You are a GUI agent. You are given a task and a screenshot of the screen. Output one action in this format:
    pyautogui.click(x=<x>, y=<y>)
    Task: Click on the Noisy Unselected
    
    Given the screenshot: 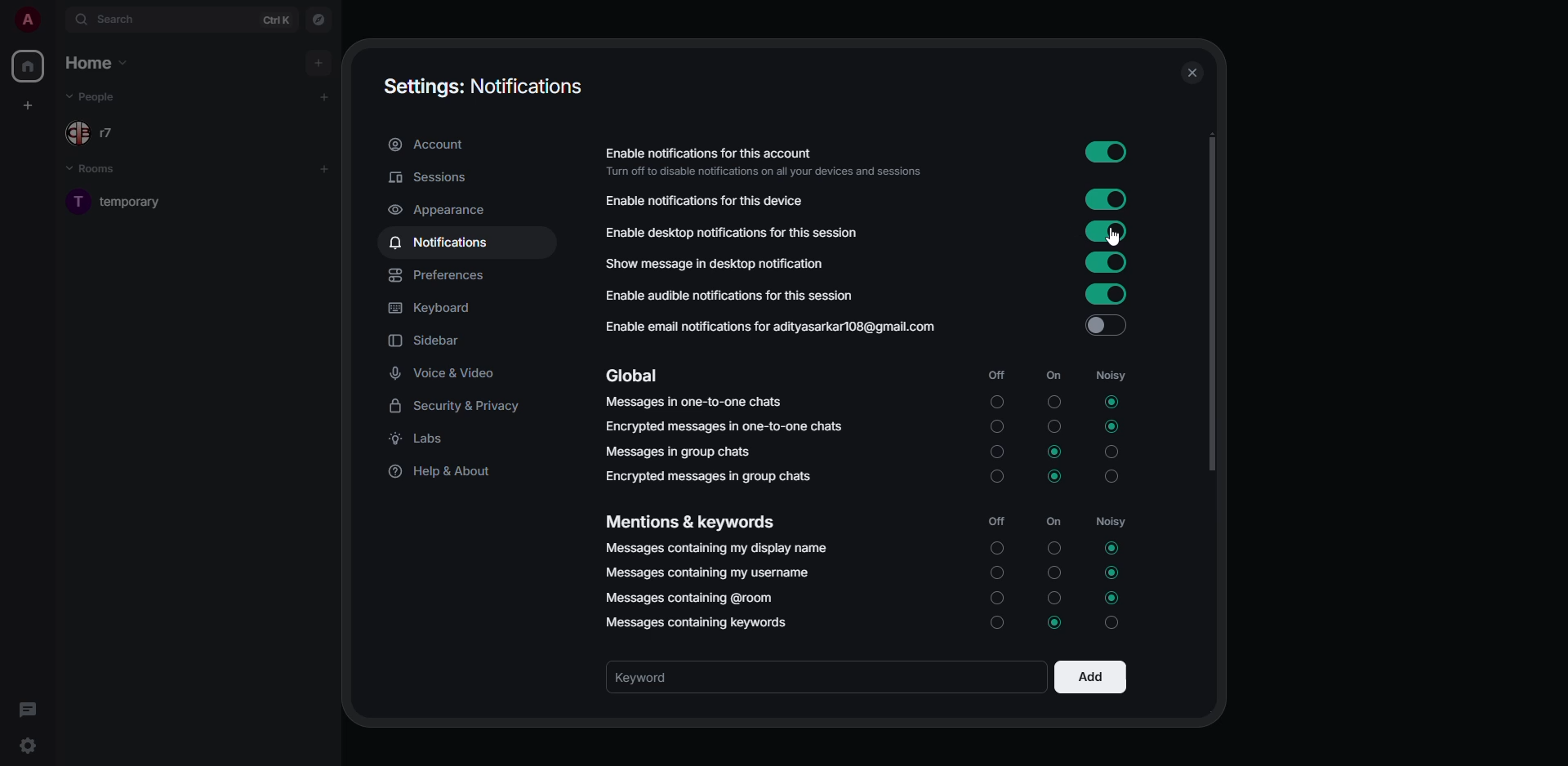 What is the action you would take?
    pyautogui.click(x=1111, y=451)
    